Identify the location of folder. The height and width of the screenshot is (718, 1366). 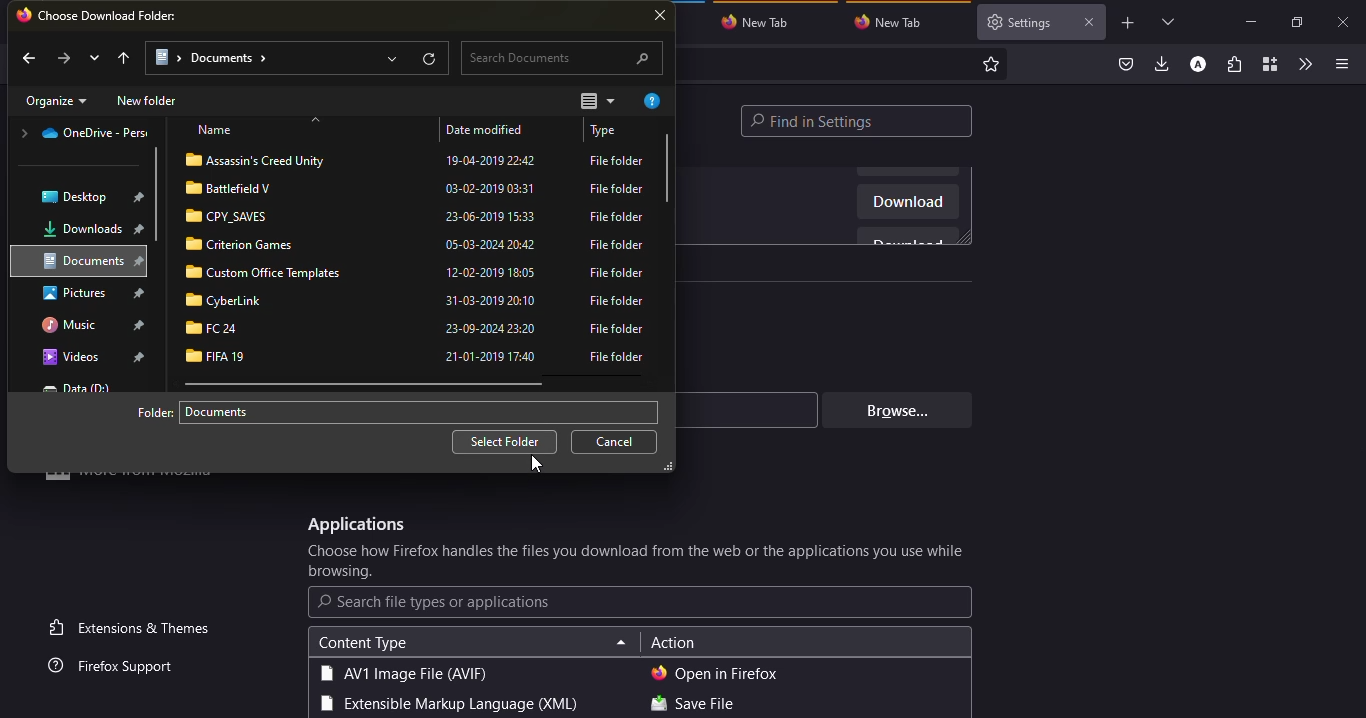
(266, 271).